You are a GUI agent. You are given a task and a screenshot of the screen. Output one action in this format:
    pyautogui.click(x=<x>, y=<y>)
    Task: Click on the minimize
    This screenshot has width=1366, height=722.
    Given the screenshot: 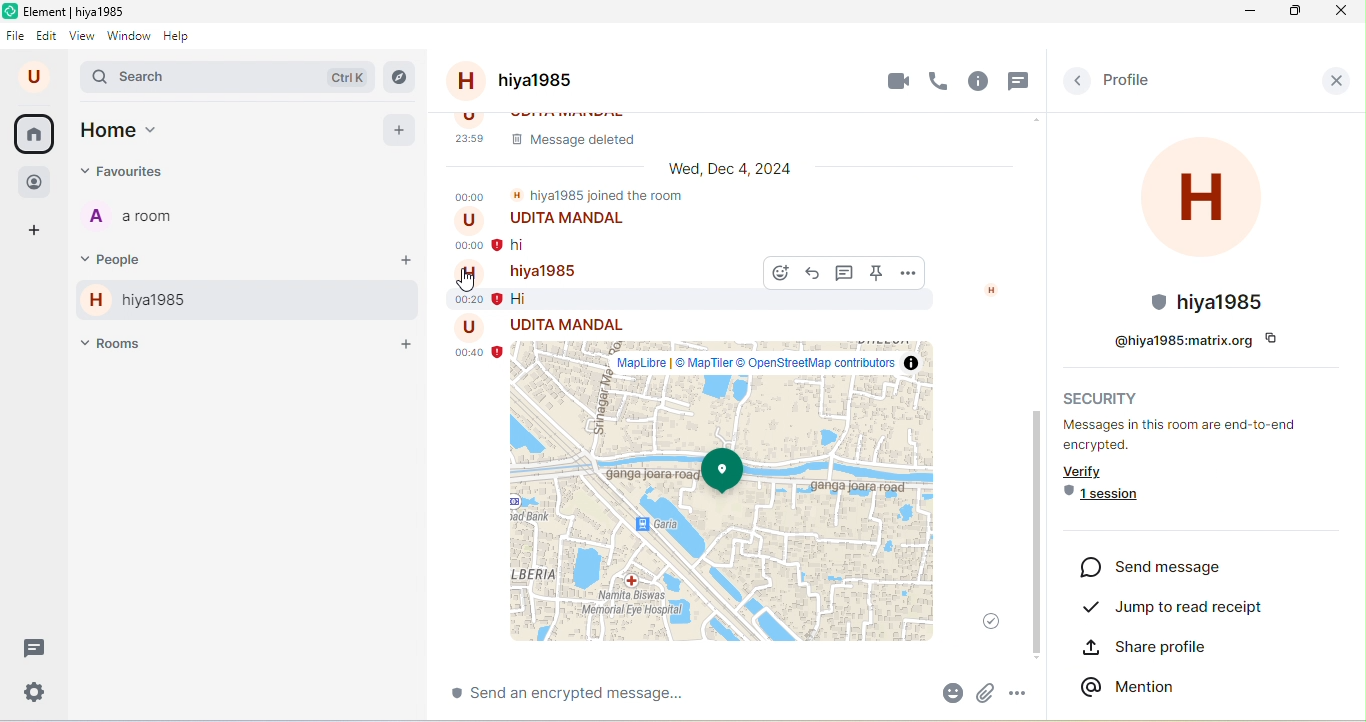 What is the action you would take?
    pyautogui.click(x=1246, y=13)
    